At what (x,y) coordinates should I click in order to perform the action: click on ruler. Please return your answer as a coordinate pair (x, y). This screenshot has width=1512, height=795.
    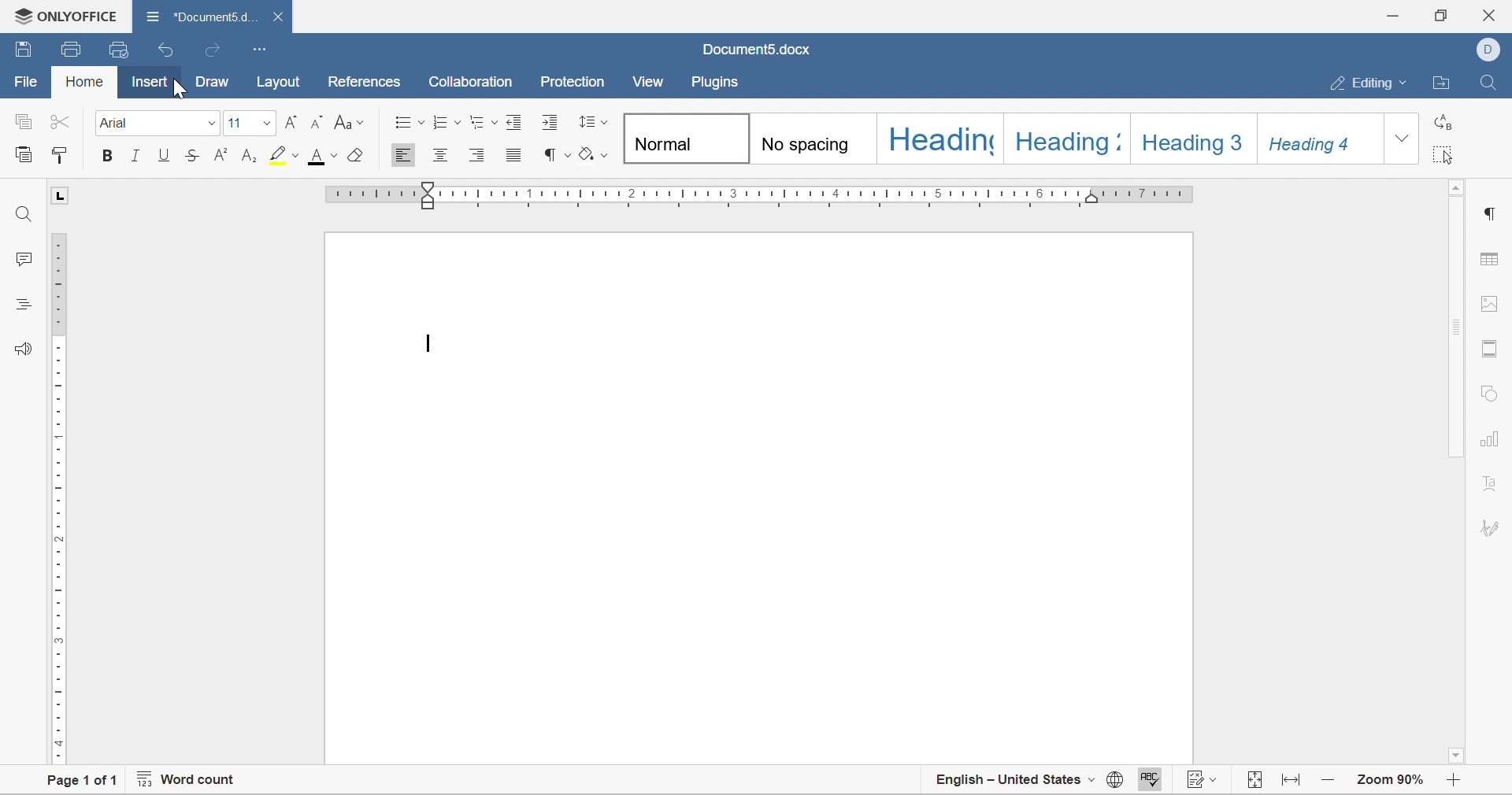
    Looking at the image, I should click on (58, 495).